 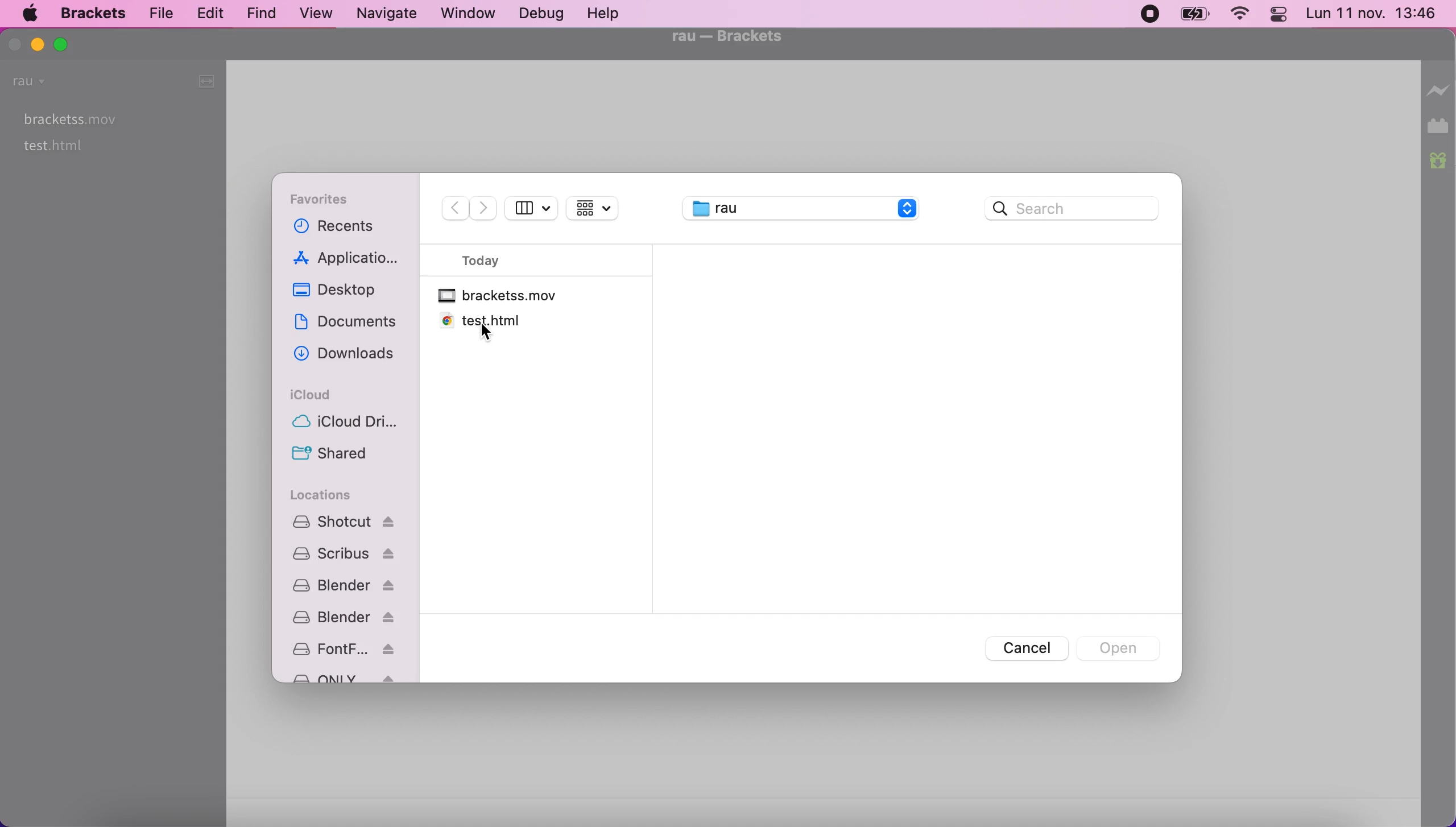 I want to click on forward, so click(x=485, y=207).